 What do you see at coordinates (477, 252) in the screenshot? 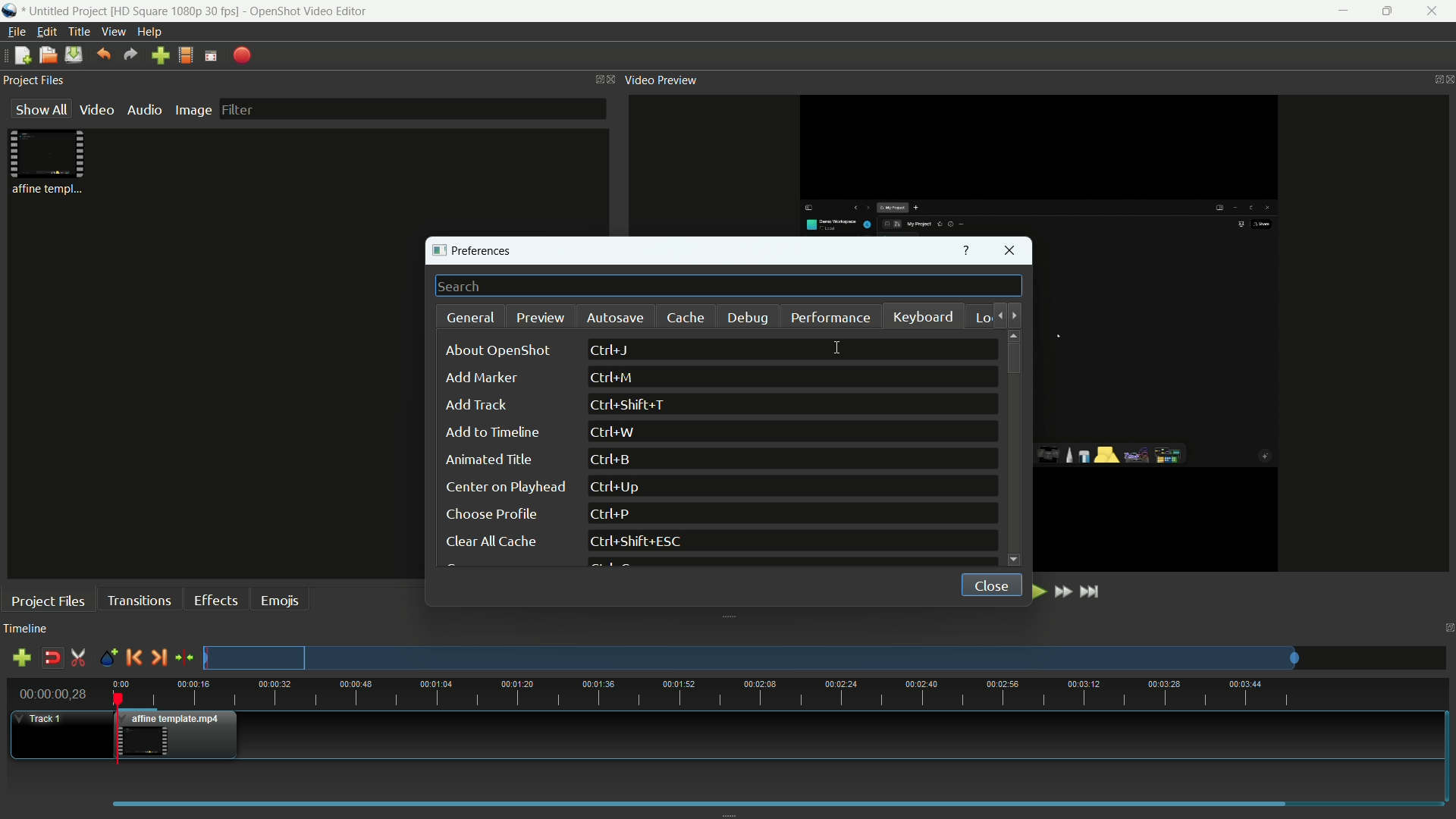
I see `preferences` at bounding box center [477, 252].